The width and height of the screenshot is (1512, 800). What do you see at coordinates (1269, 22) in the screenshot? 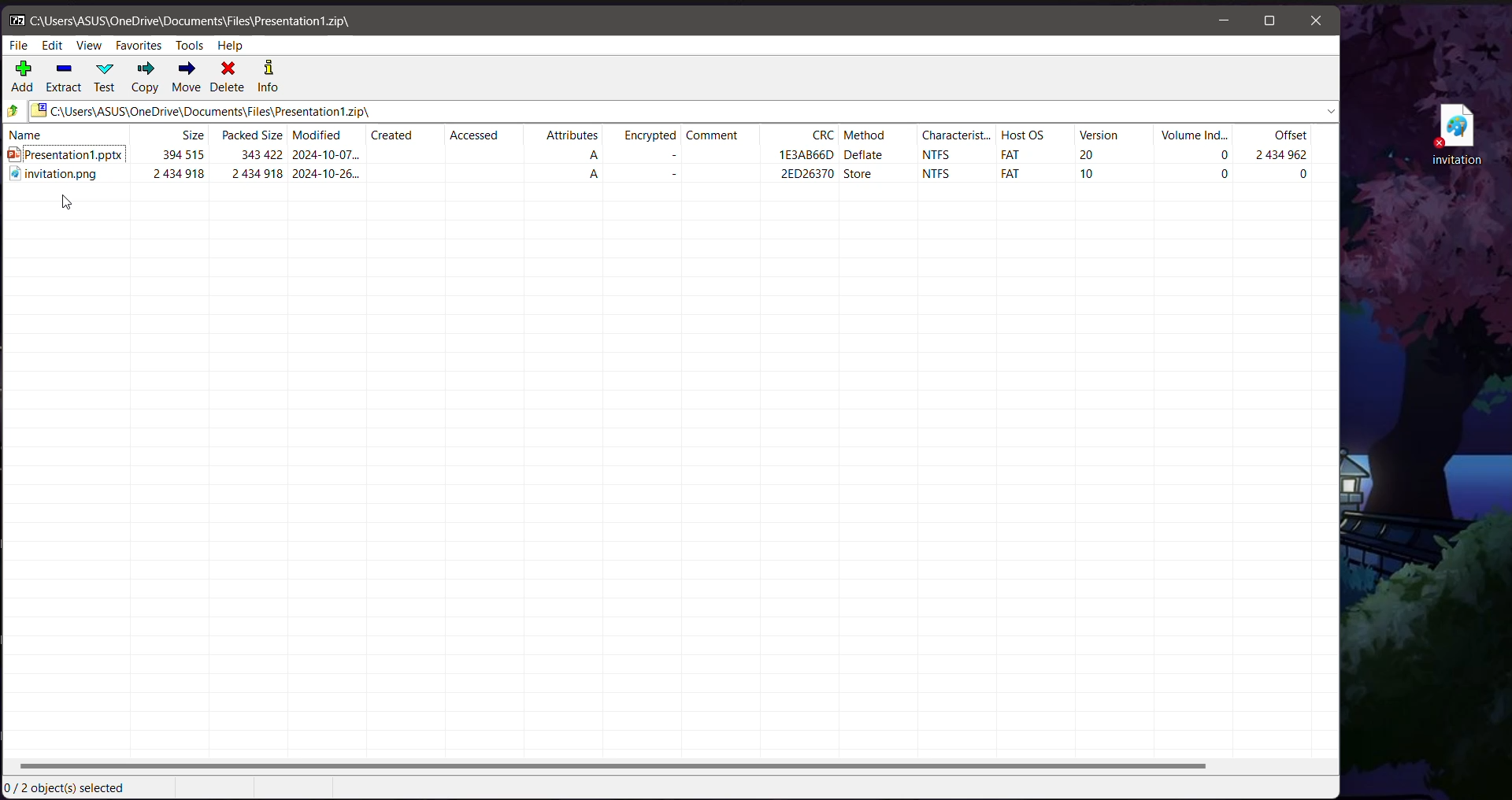
I see `Maximize` at bounding box center [1269, 22].